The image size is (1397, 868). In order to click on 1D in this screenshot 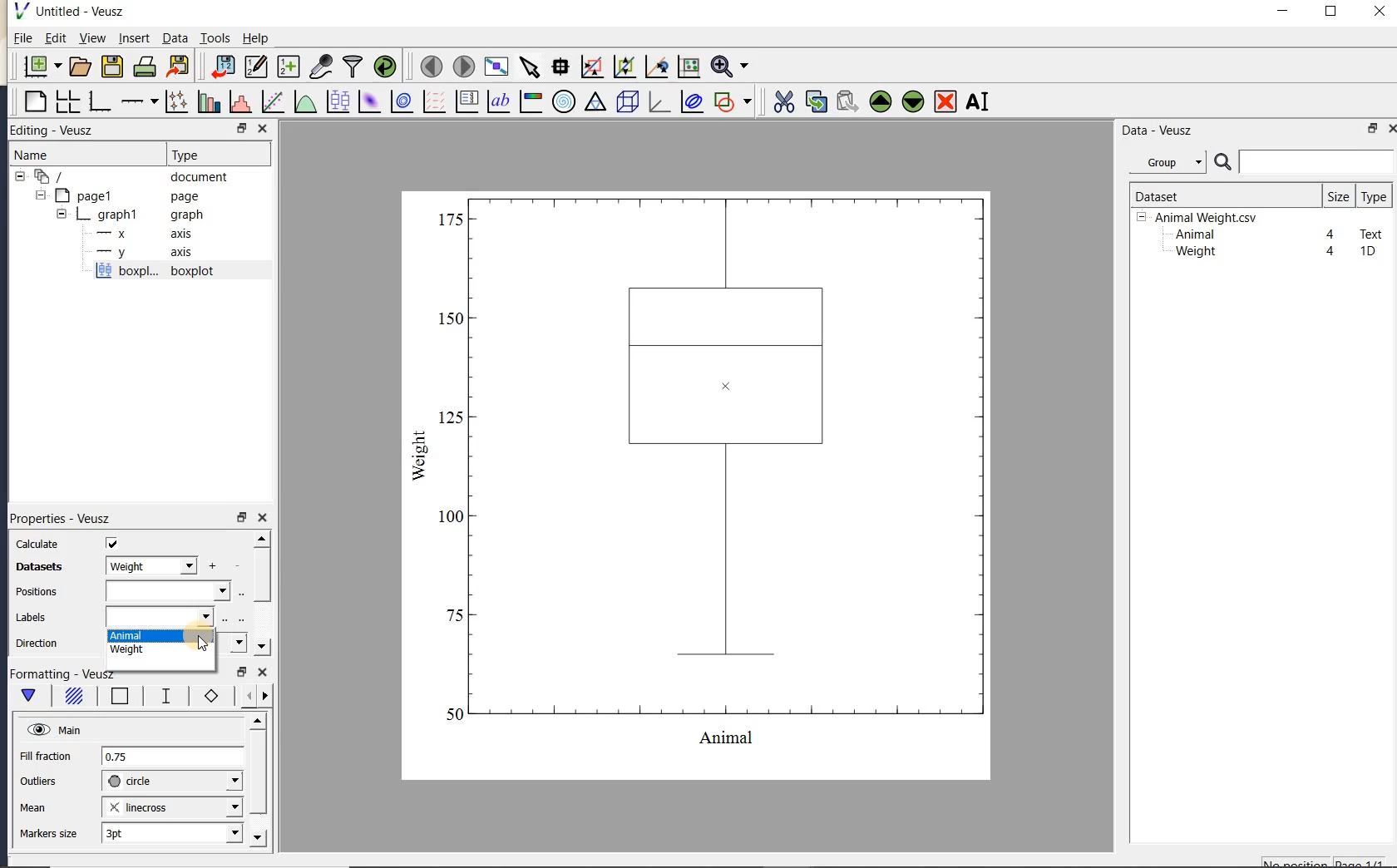, I will do `click(1367, 251)`.